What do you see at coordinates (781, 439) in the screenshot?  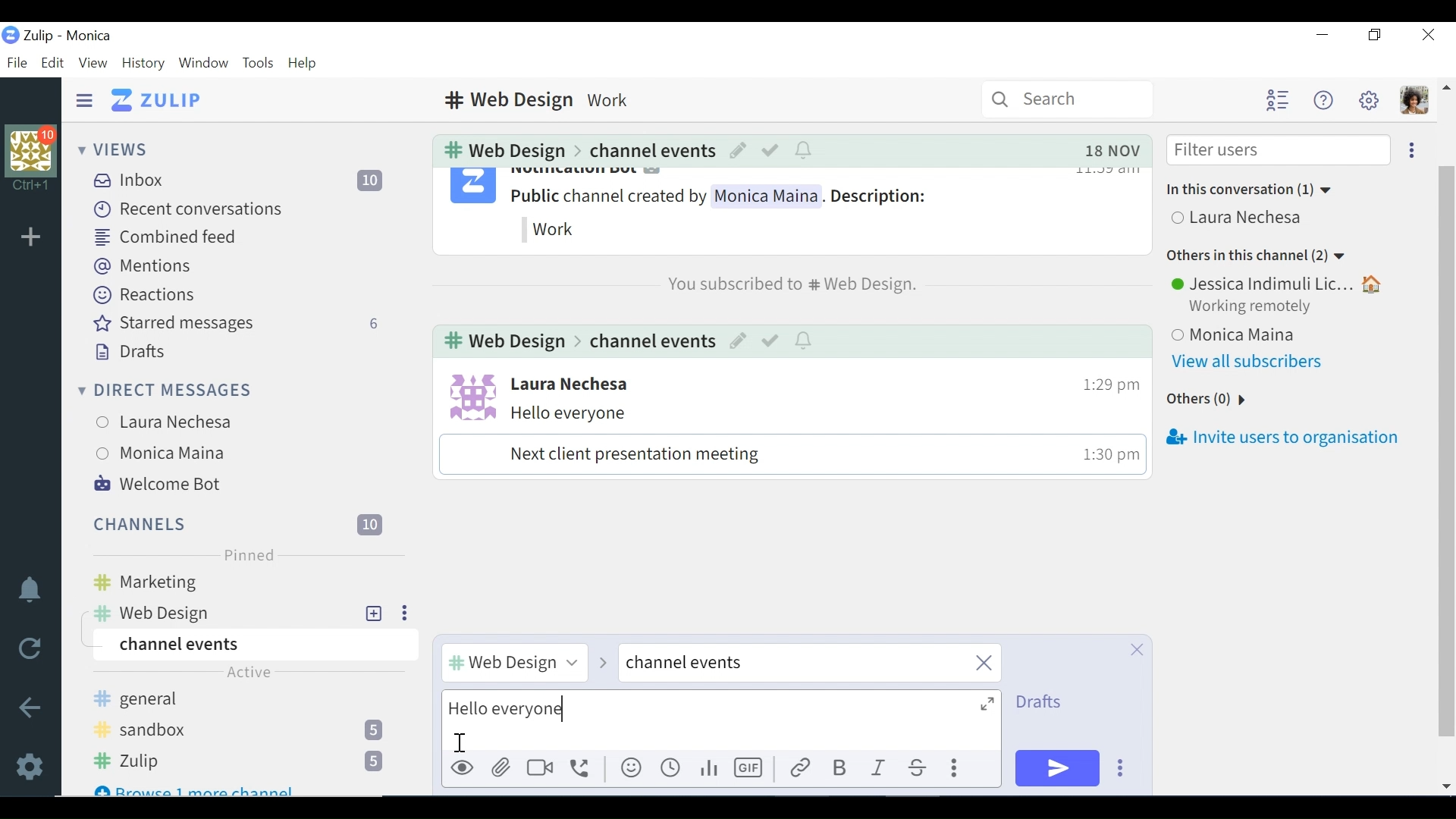 I see `Messages` at bounding box center [781, 439].